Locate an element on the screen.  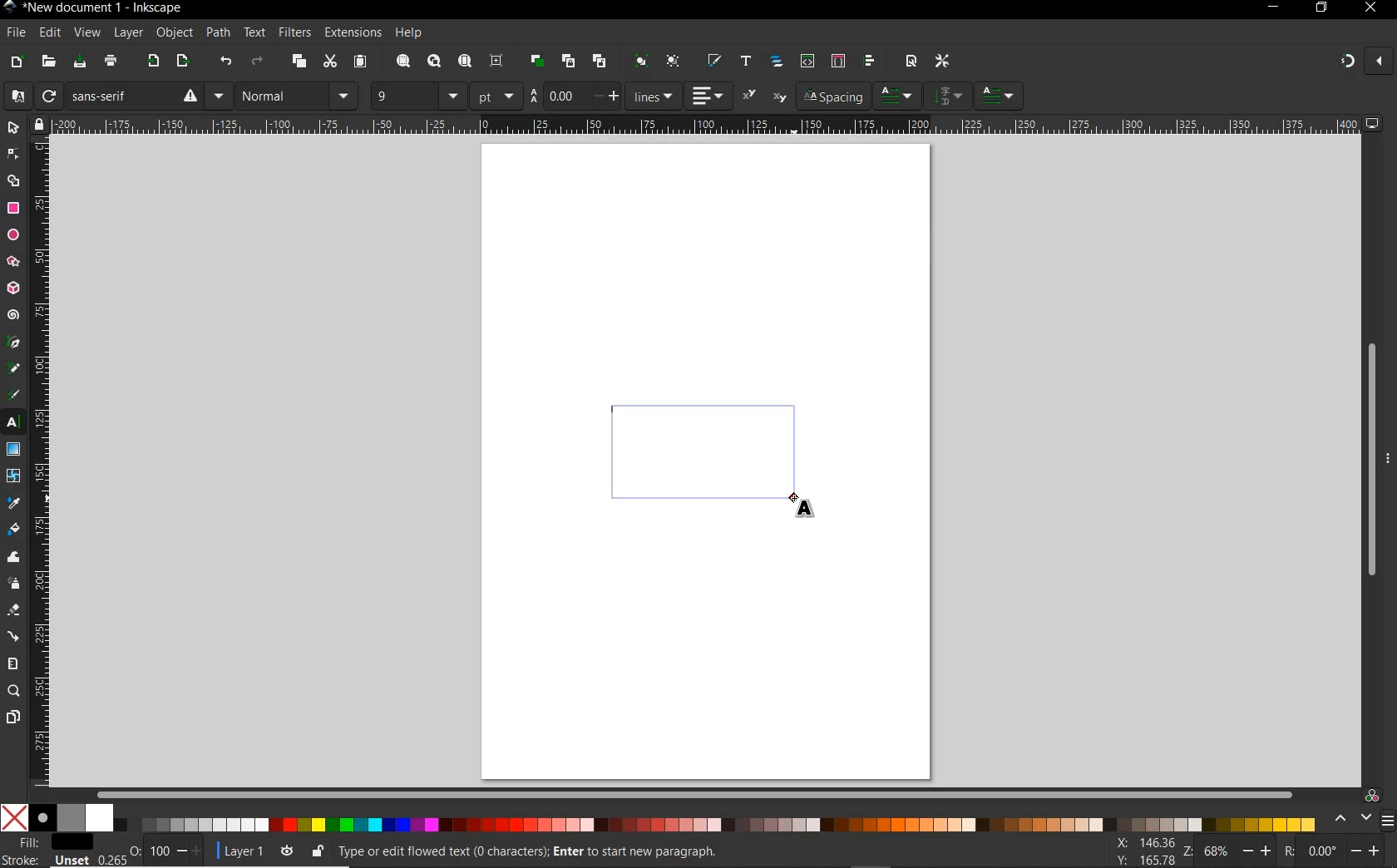
- is located at coordinates (597, 96).